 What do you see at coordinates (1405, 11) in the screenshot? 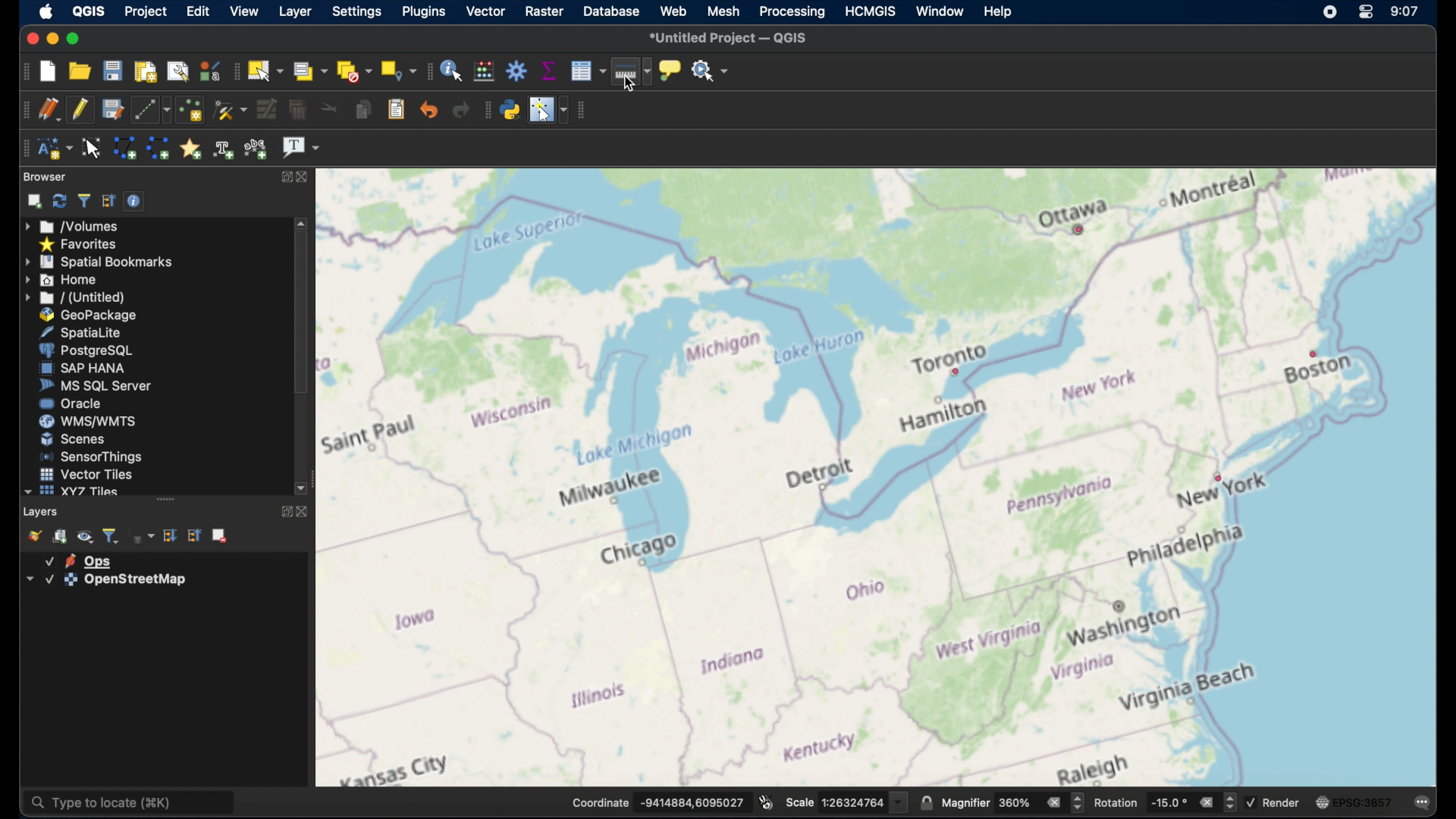
I see `time` at bounding box center [1405, 11].